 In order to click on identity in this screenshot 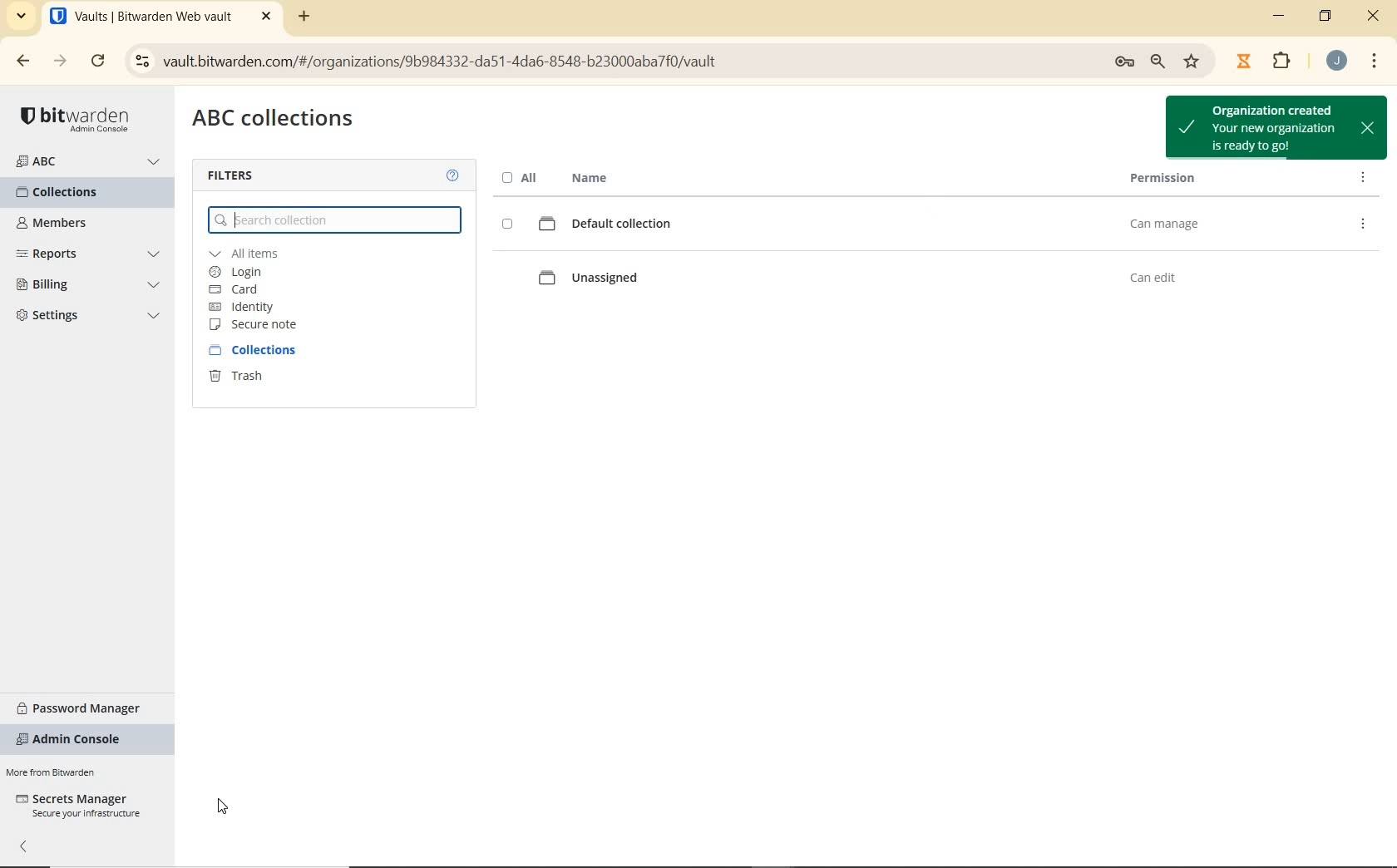, I will do `click(241, 308)`.